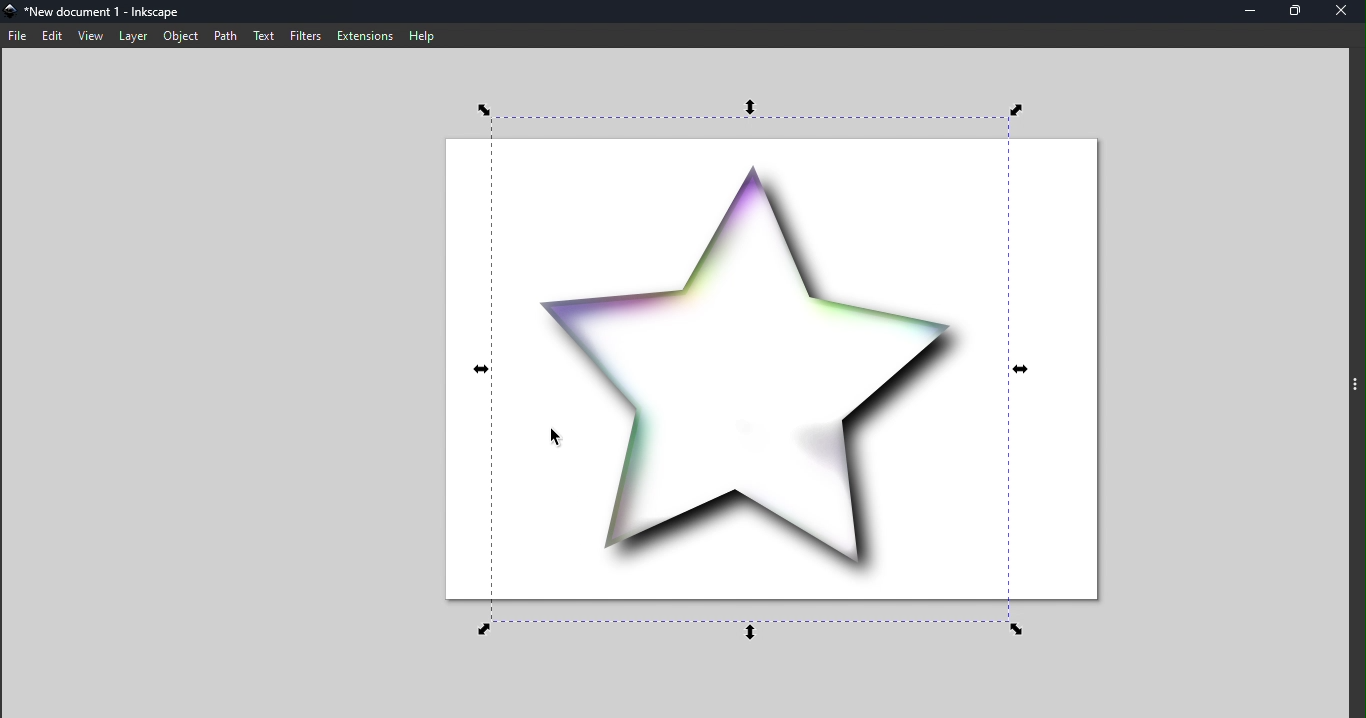  I want to click on File name, so click(106, 13).